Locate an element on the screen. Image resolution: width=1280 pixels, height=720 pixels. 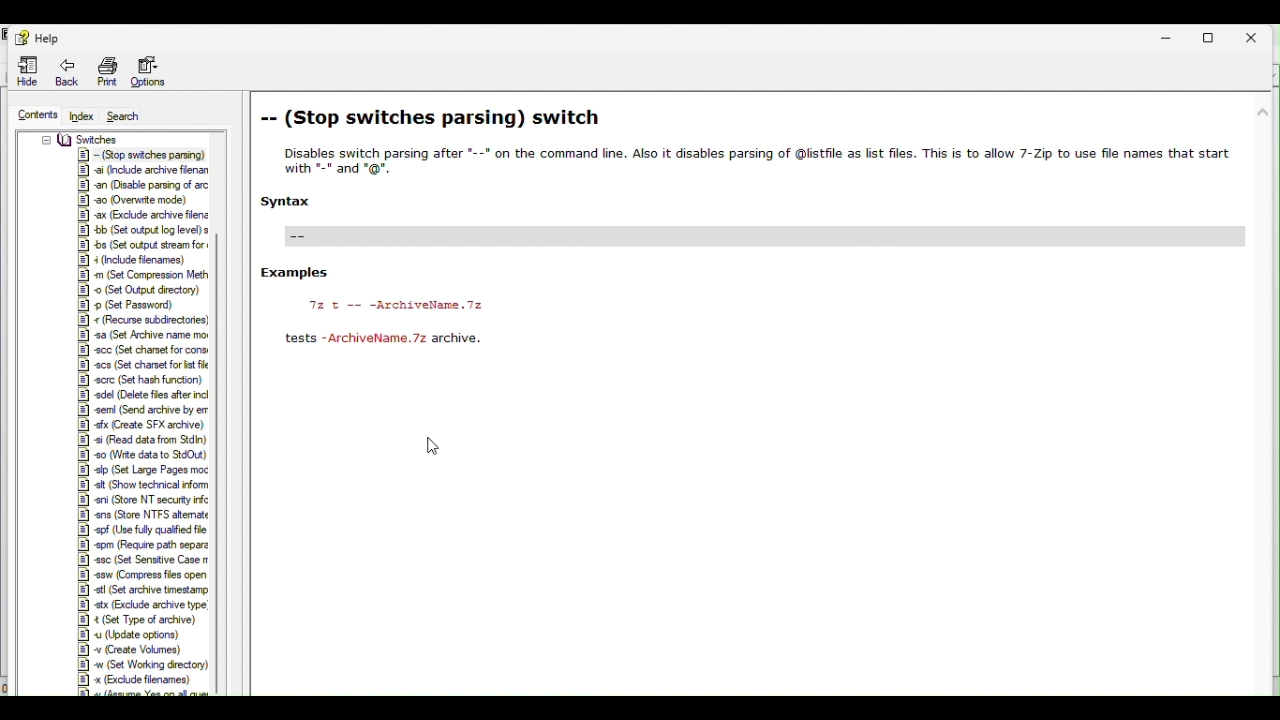
 is located at coordinates (138, 649).